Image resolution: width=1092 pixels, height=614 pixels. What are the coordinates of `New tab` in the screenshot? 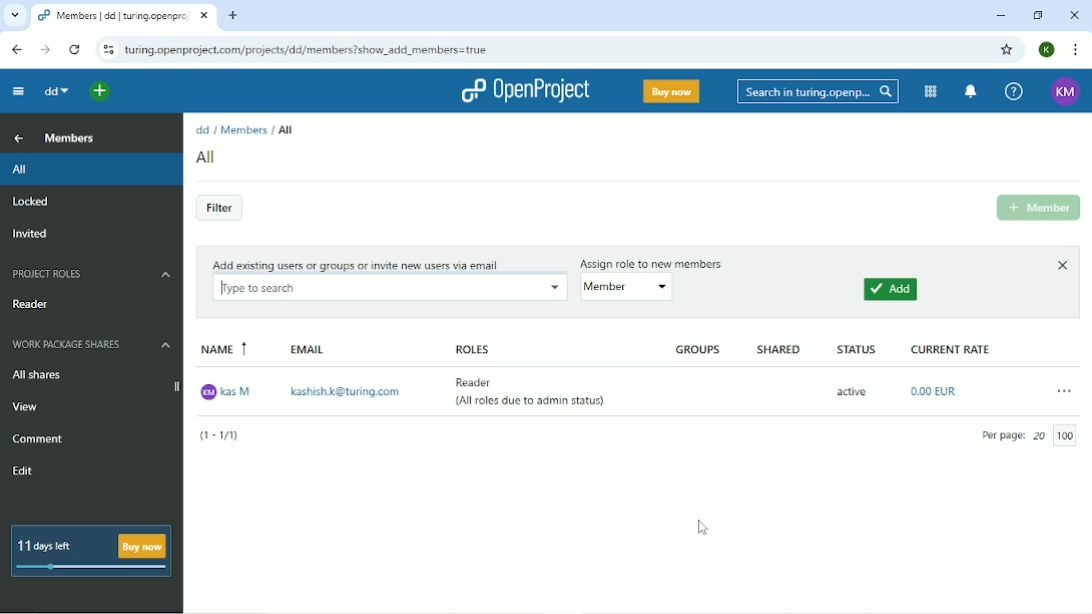 It's located at (233, 17).